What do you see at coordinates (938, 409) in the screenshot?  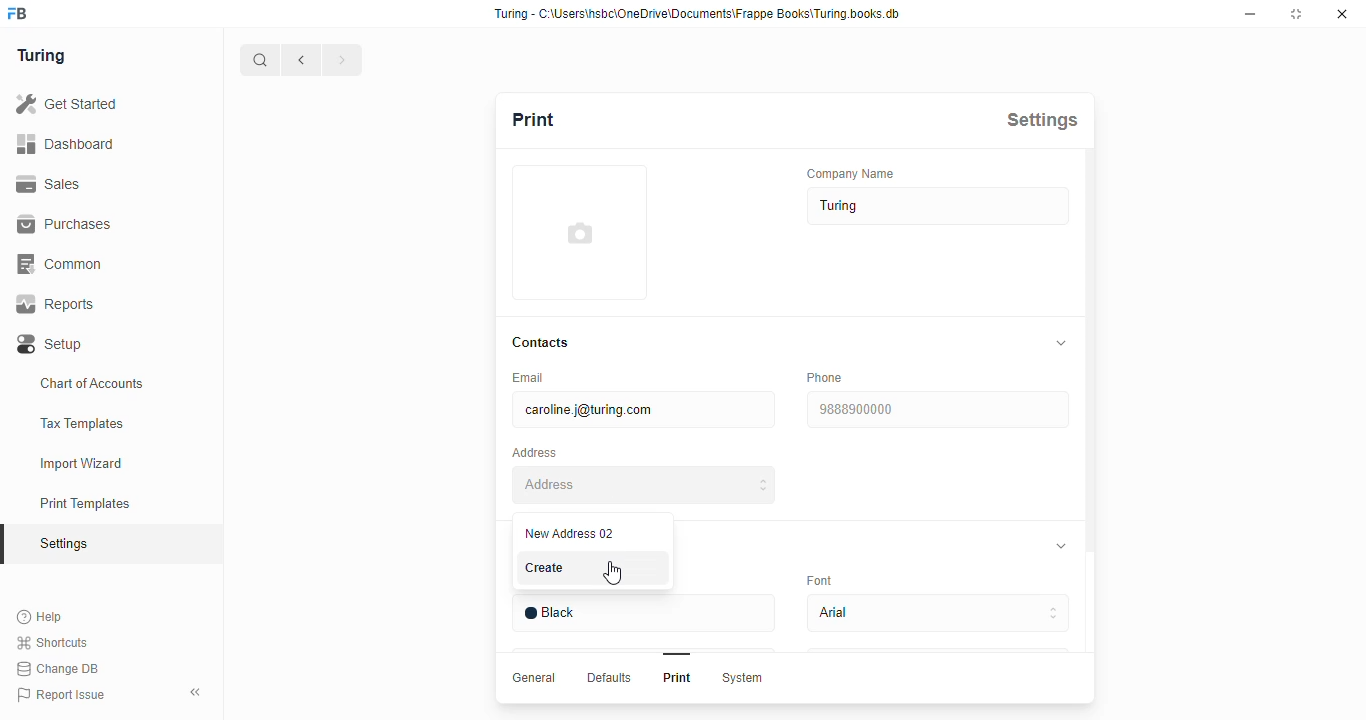 I see `9888900000` at bounding box center [938, 409].